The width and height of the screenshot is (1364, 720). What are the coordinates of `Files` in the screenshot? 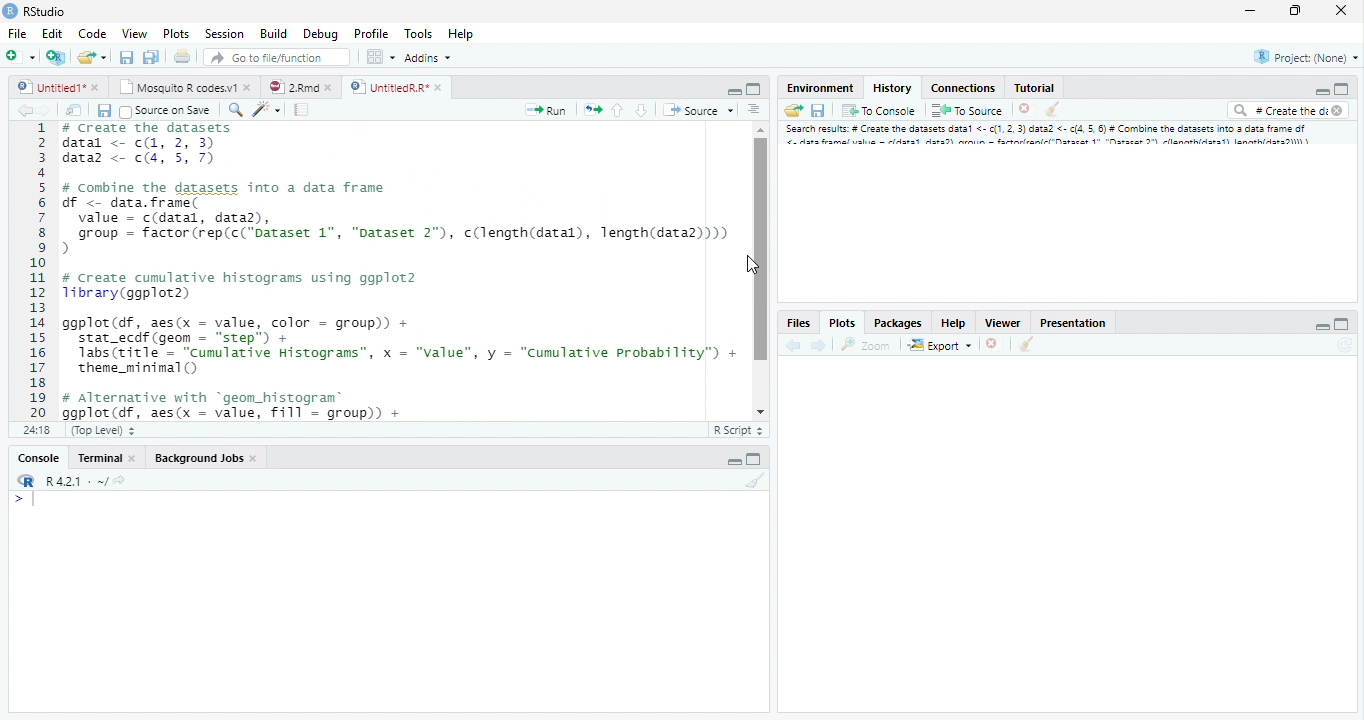 It's located at (798, 321).